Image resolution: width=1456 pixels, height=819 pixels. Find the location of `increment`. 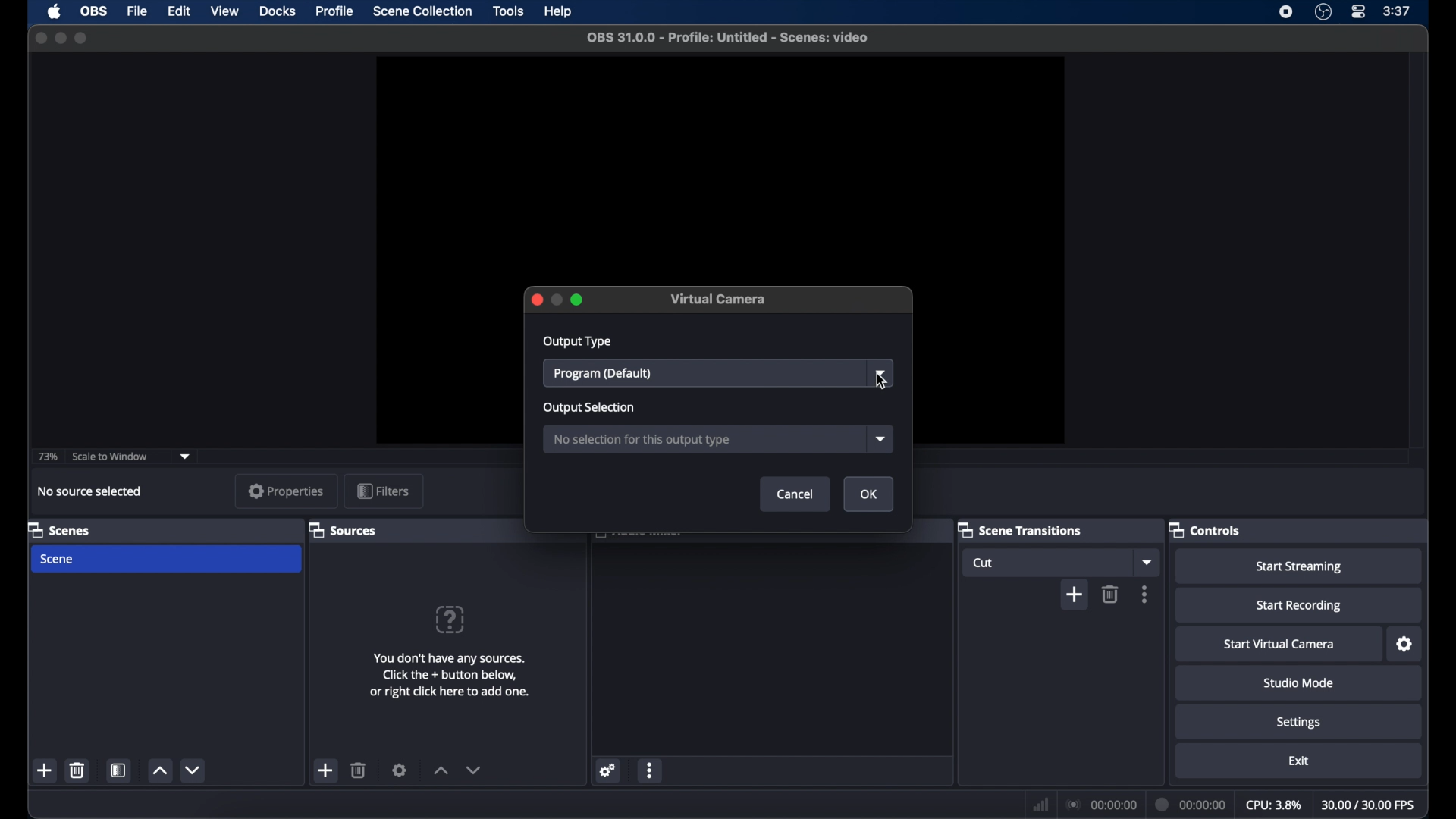

increment is located at coordinates (440, 770).